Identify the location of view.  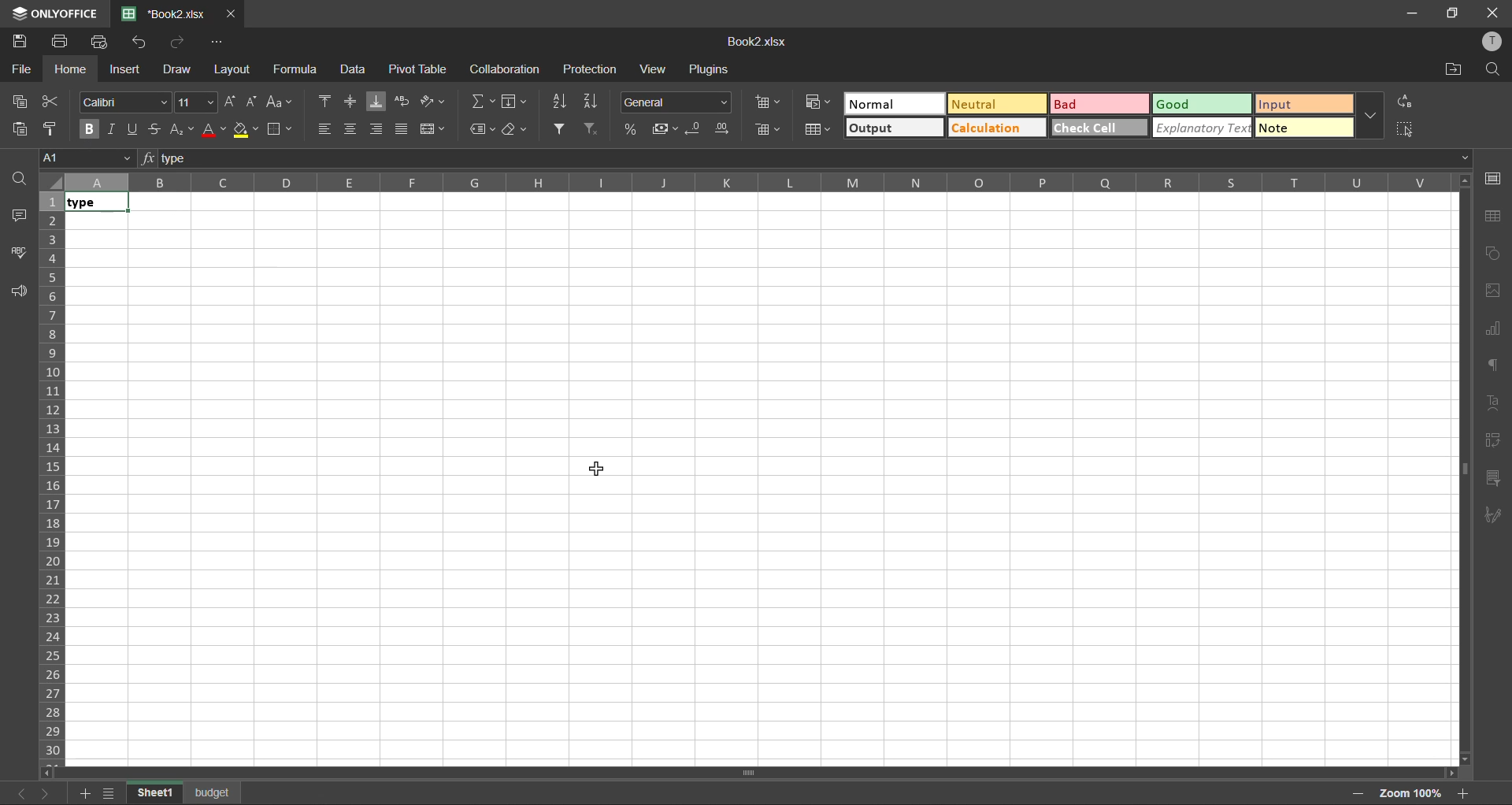
(655, 69).